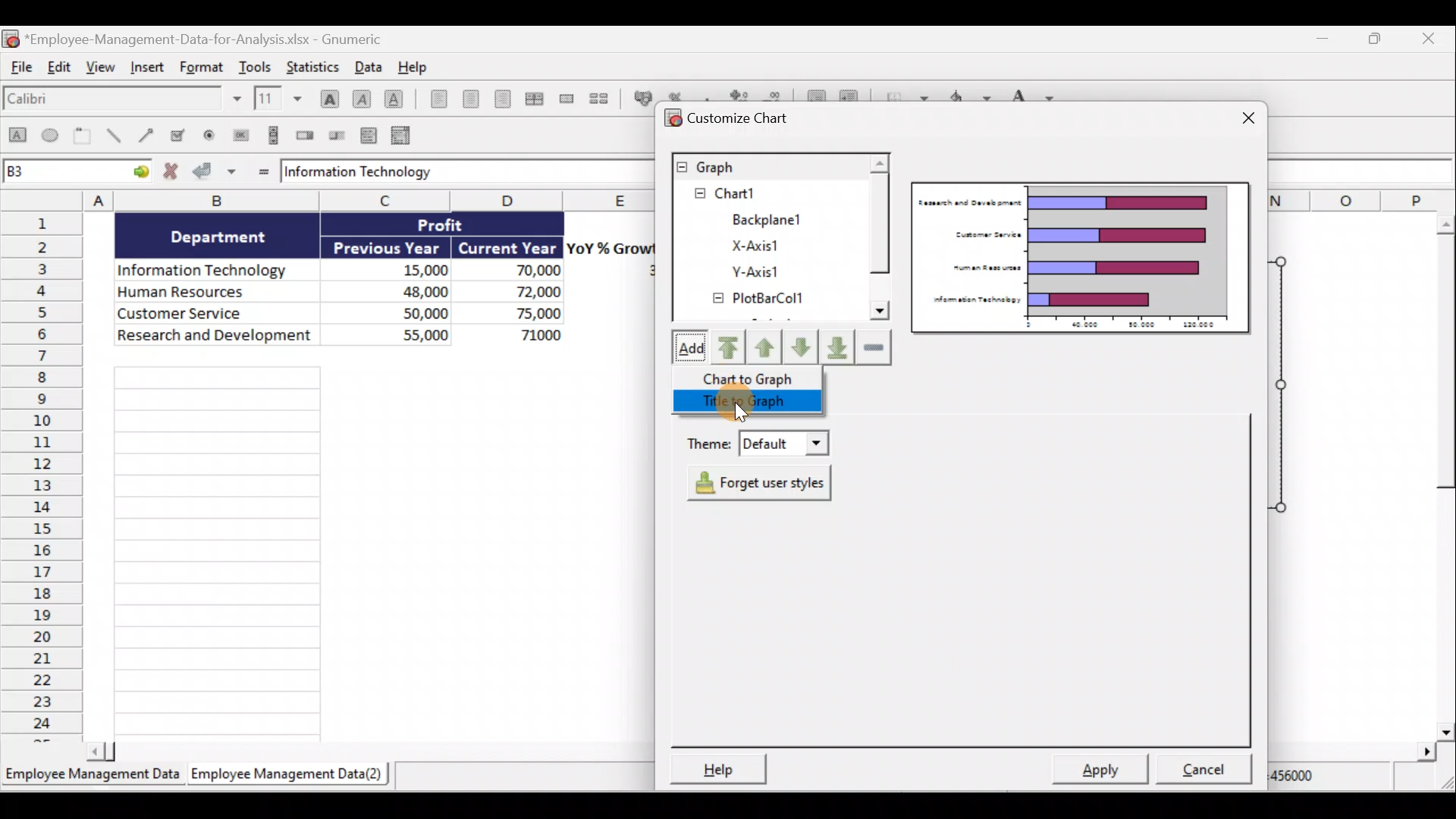  I want to click on Theme, so click(758, 445).